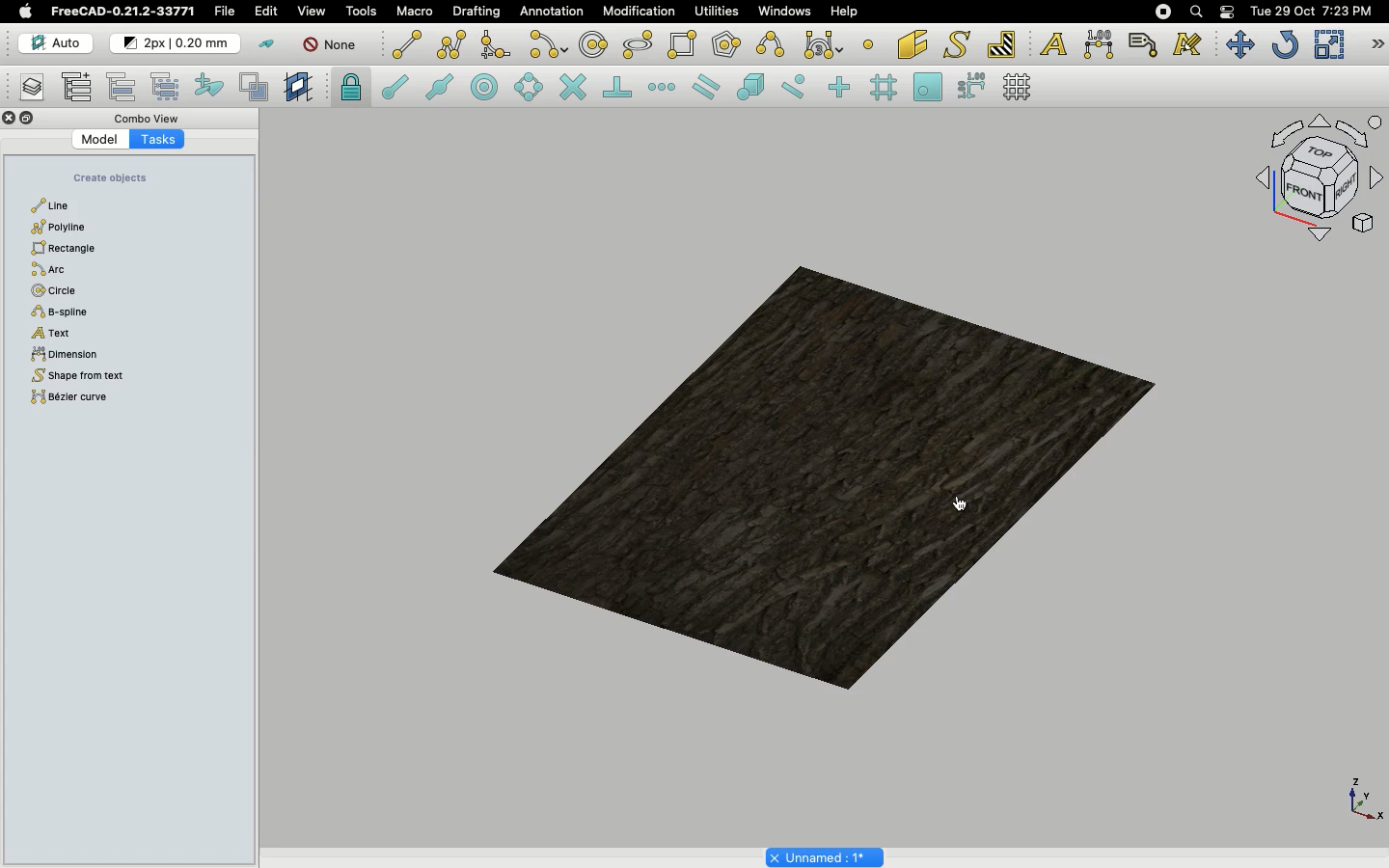 This screenshot has width=1389, height=868. I want to click on Annotation styles, so click(1186, 46).